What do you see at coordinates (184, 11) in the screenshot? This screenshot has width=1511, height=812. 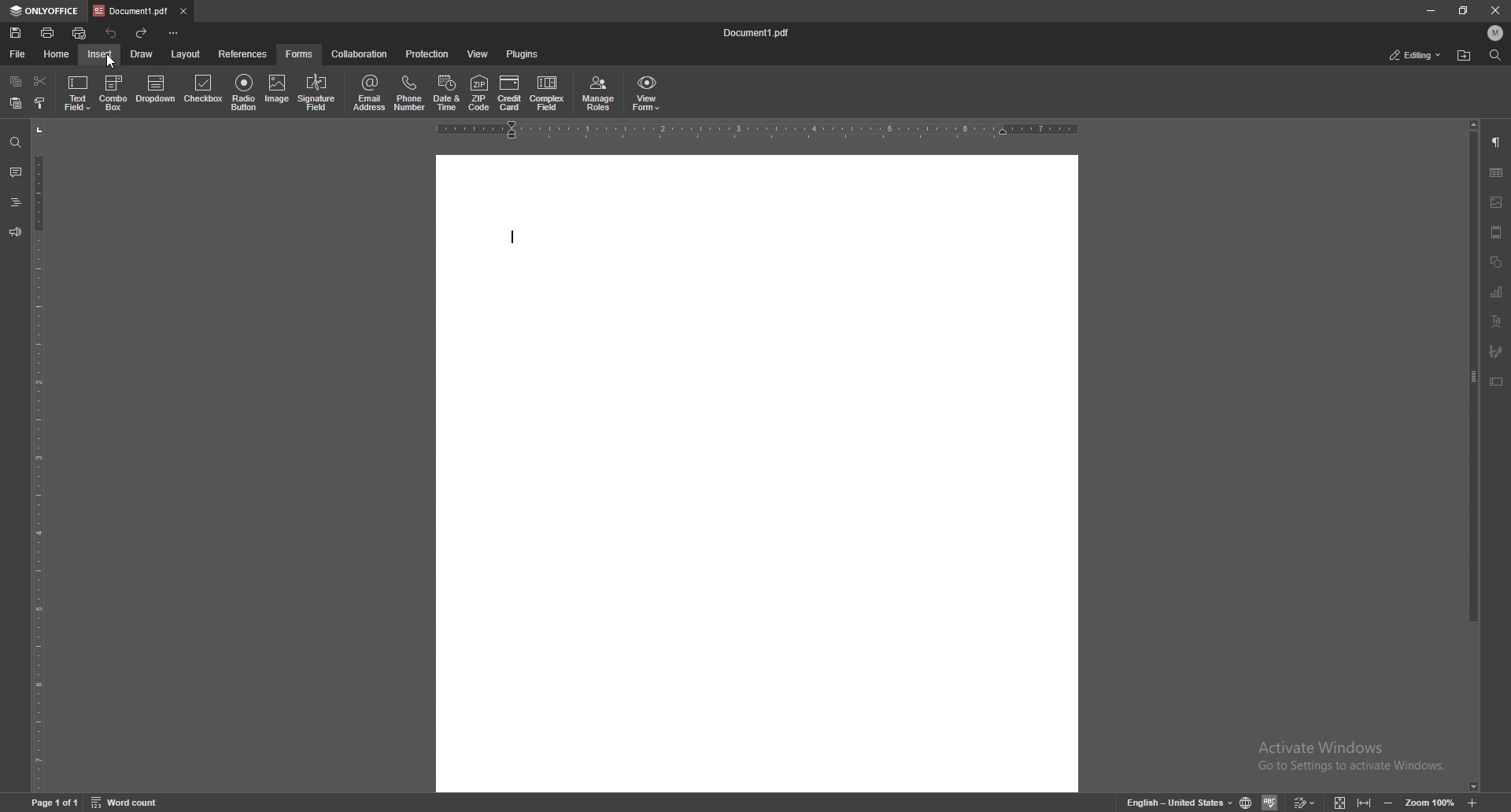 I see `close tab` at bounding box center [184, 11].